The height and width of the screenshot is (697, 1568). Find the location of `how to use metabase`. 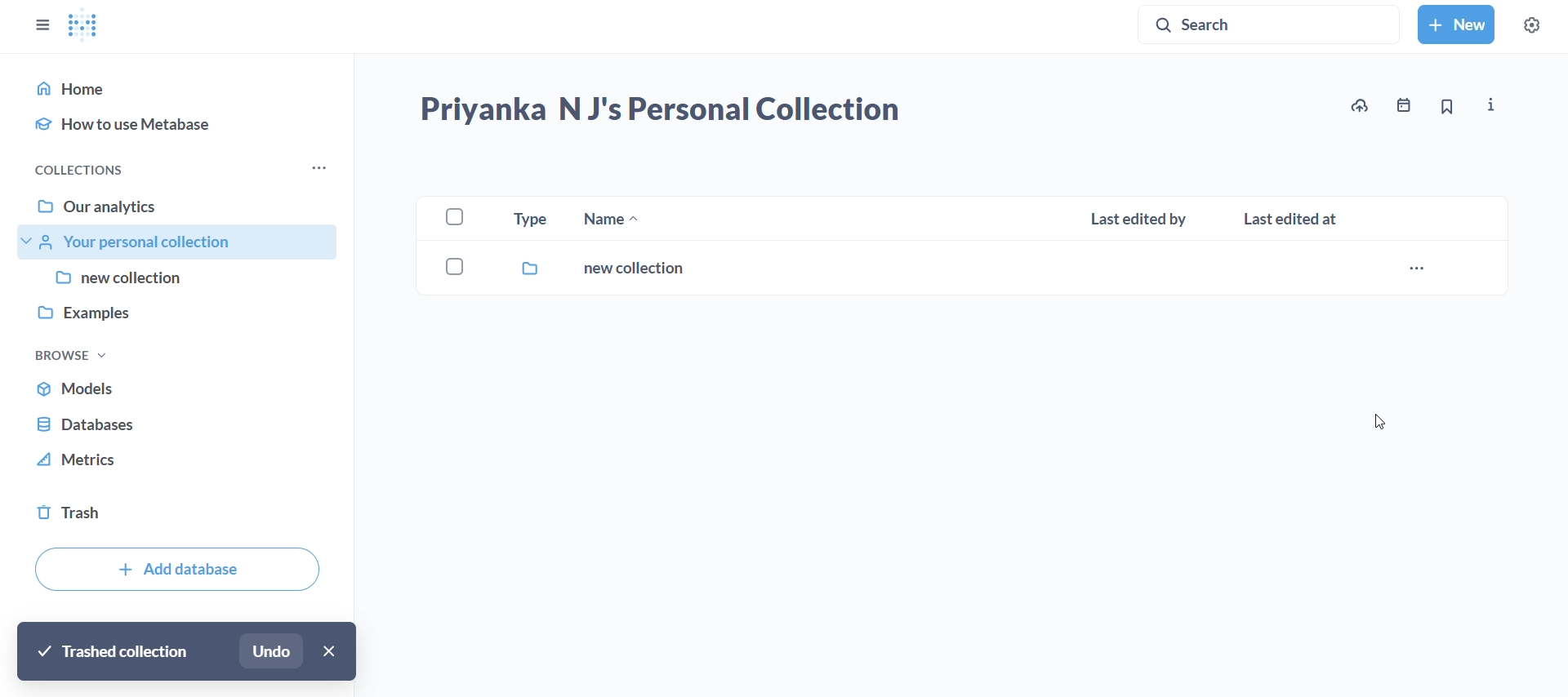

how to use metabase is located at coordinates (179, 126).